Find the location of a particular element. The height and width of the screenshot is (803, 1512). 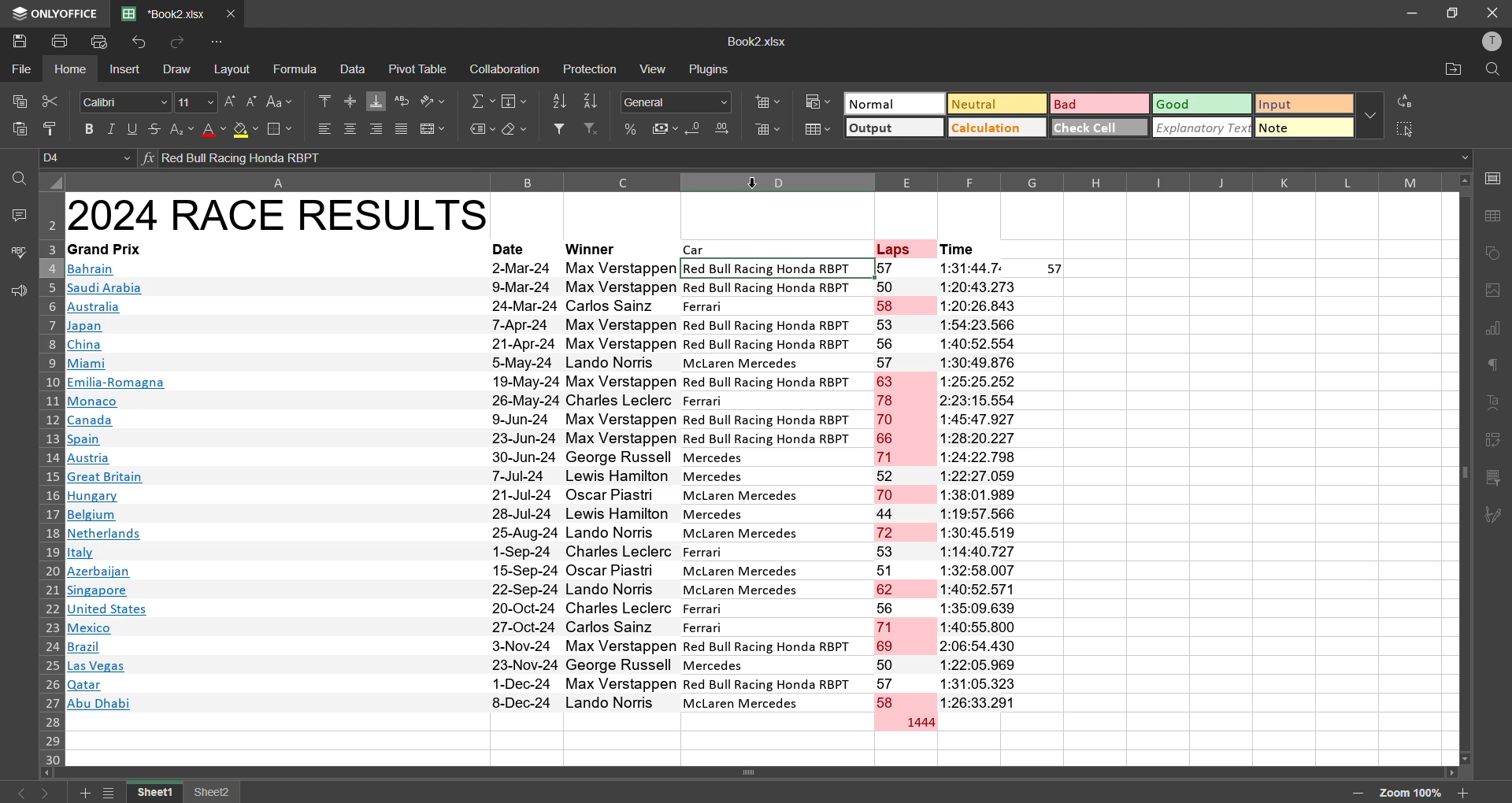

clear filter is located at coordinates (592, 128).